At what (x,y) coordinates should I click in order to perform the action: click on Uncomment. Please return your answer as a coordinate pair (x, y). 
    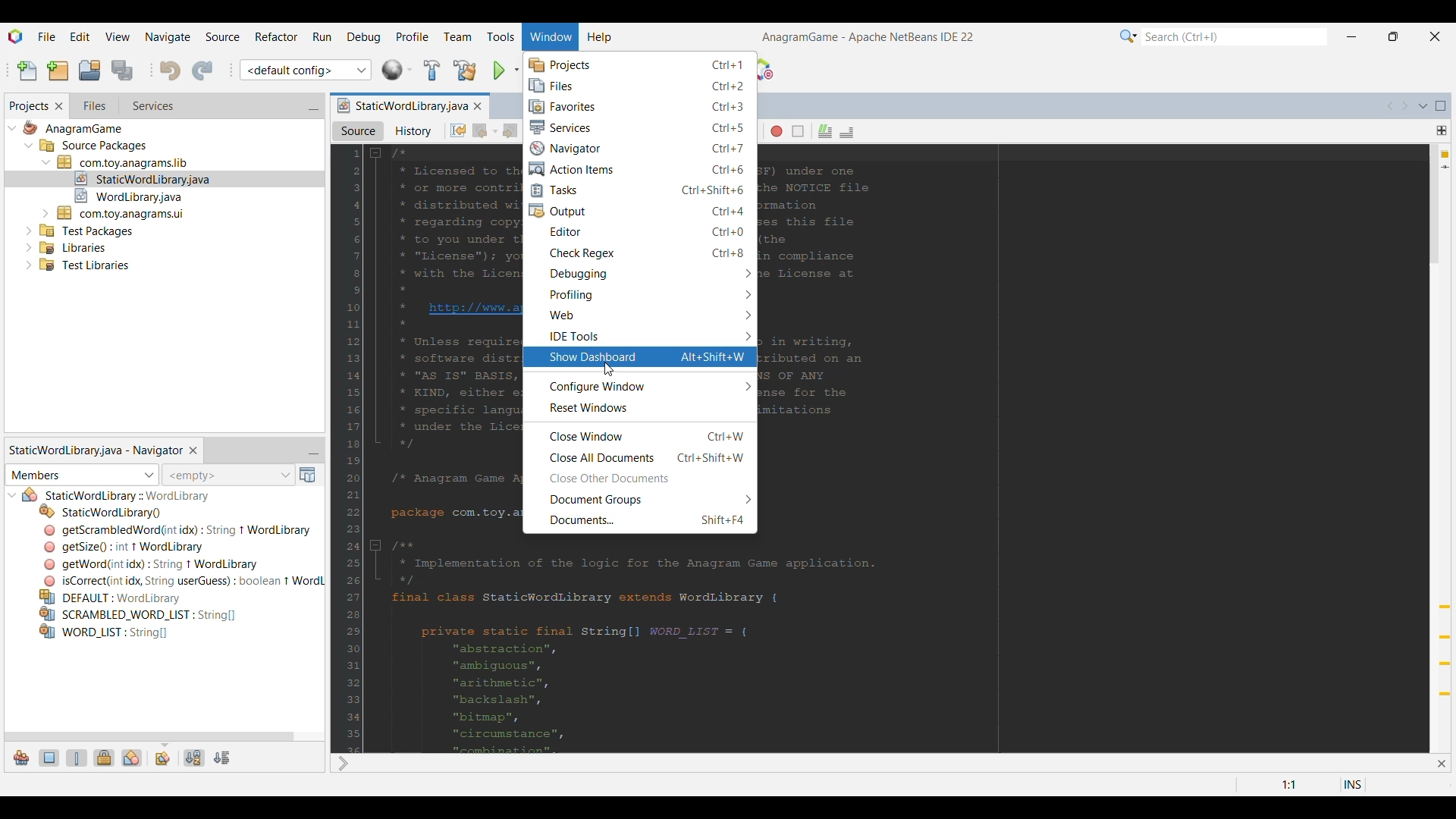
    Looking at the image, I should click on (847, 132).